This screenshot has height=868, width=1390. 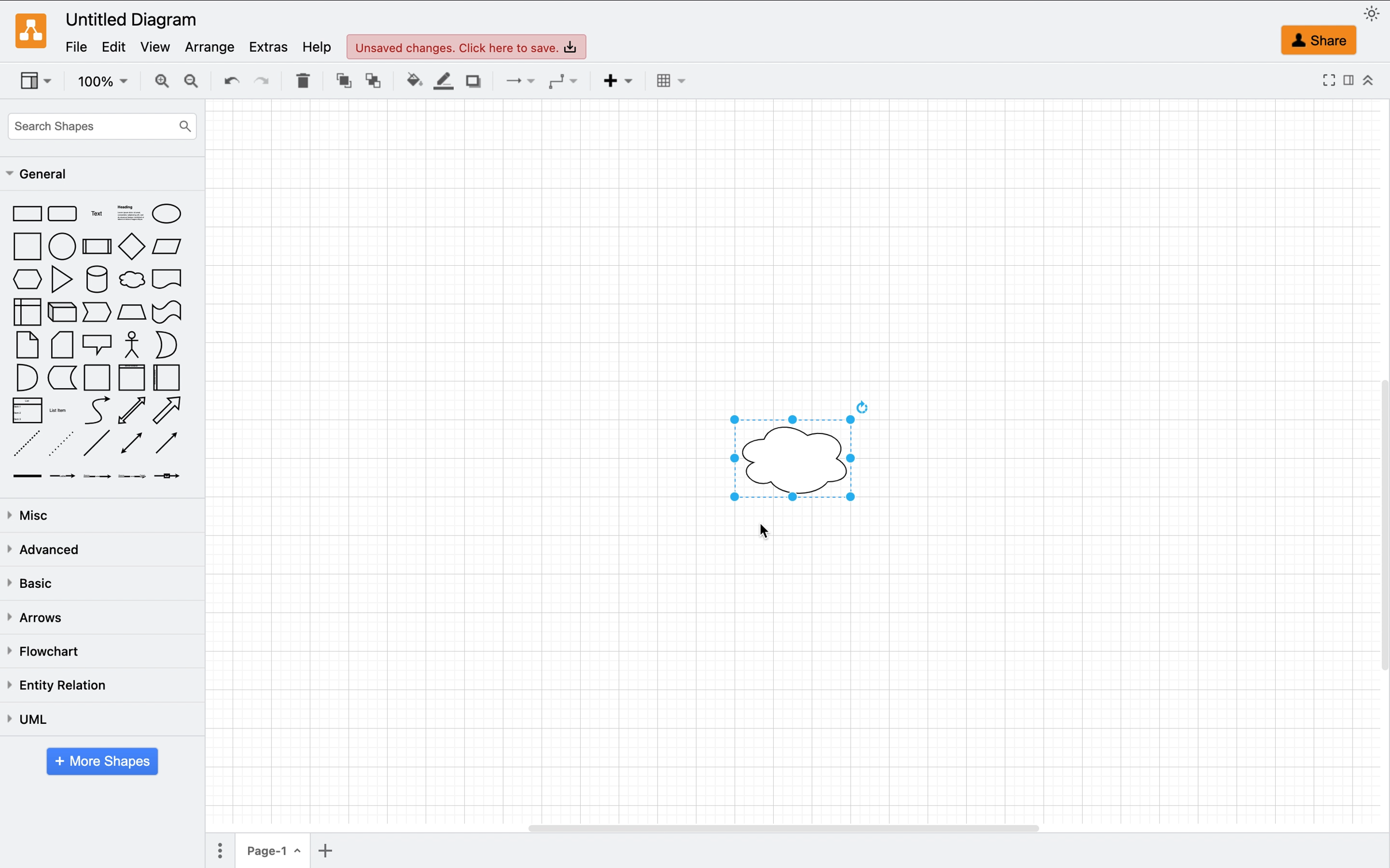 What do you see at coordinates (167, 377) in the screenshot?
I see `horizontal container` at bounding box center [167, 377].